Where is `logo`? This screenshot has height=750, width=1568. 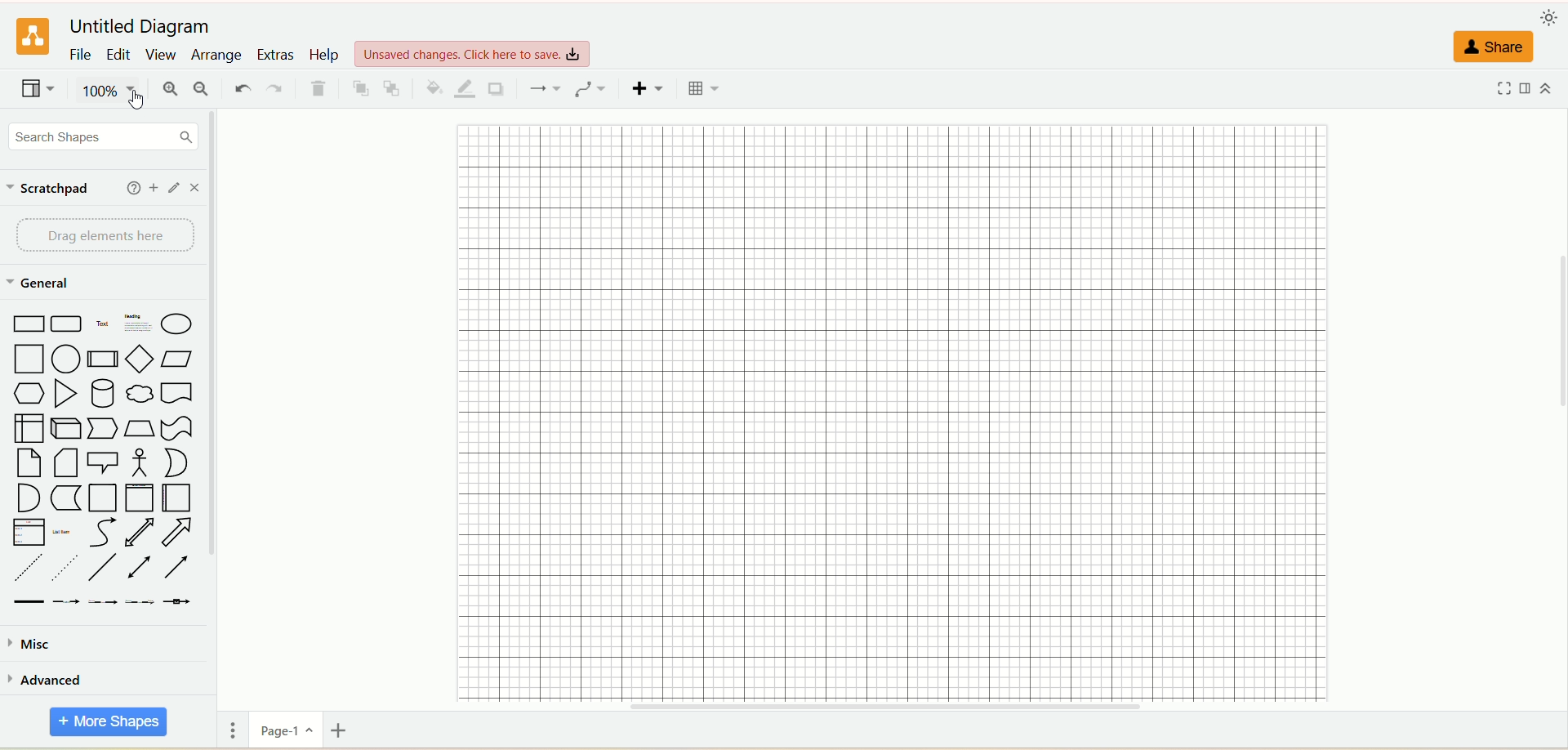 logo is located at coordinates (32, 35).